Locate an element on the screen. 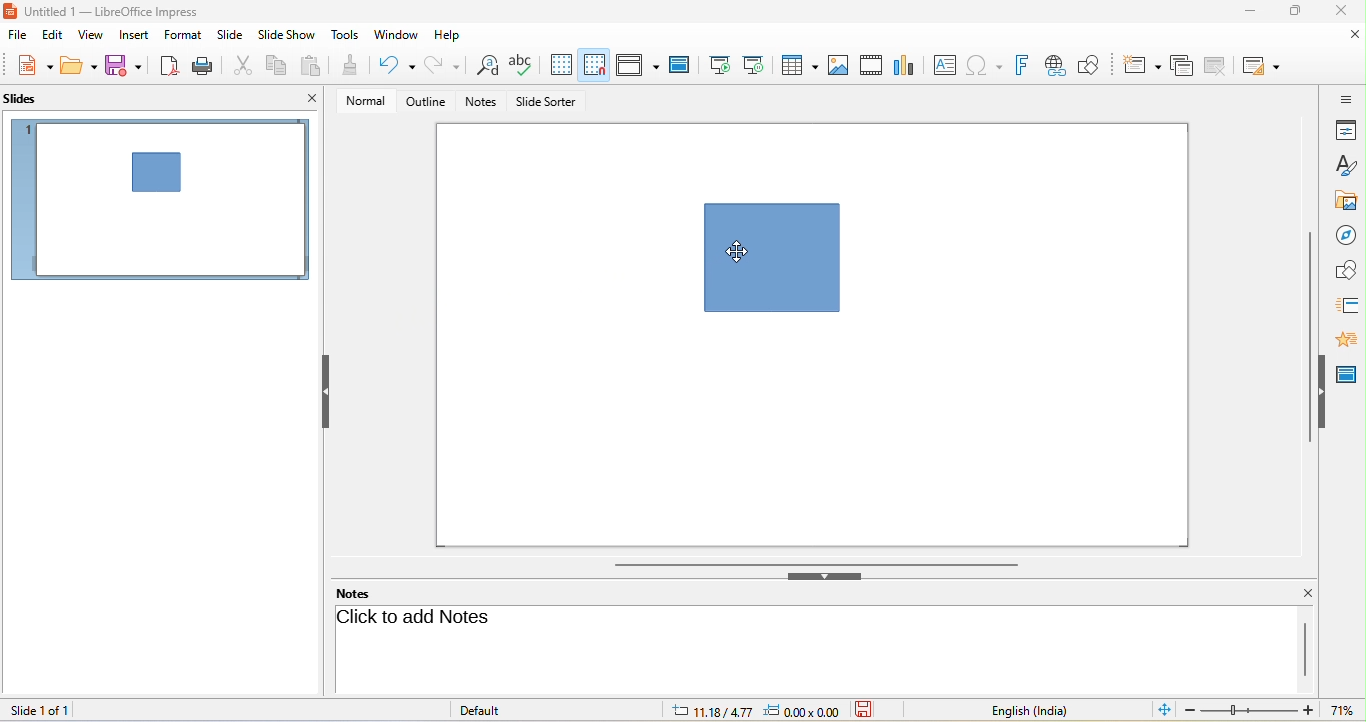 This screenshot has height=722, width=1366. hide is located at coordinates (326, 394).